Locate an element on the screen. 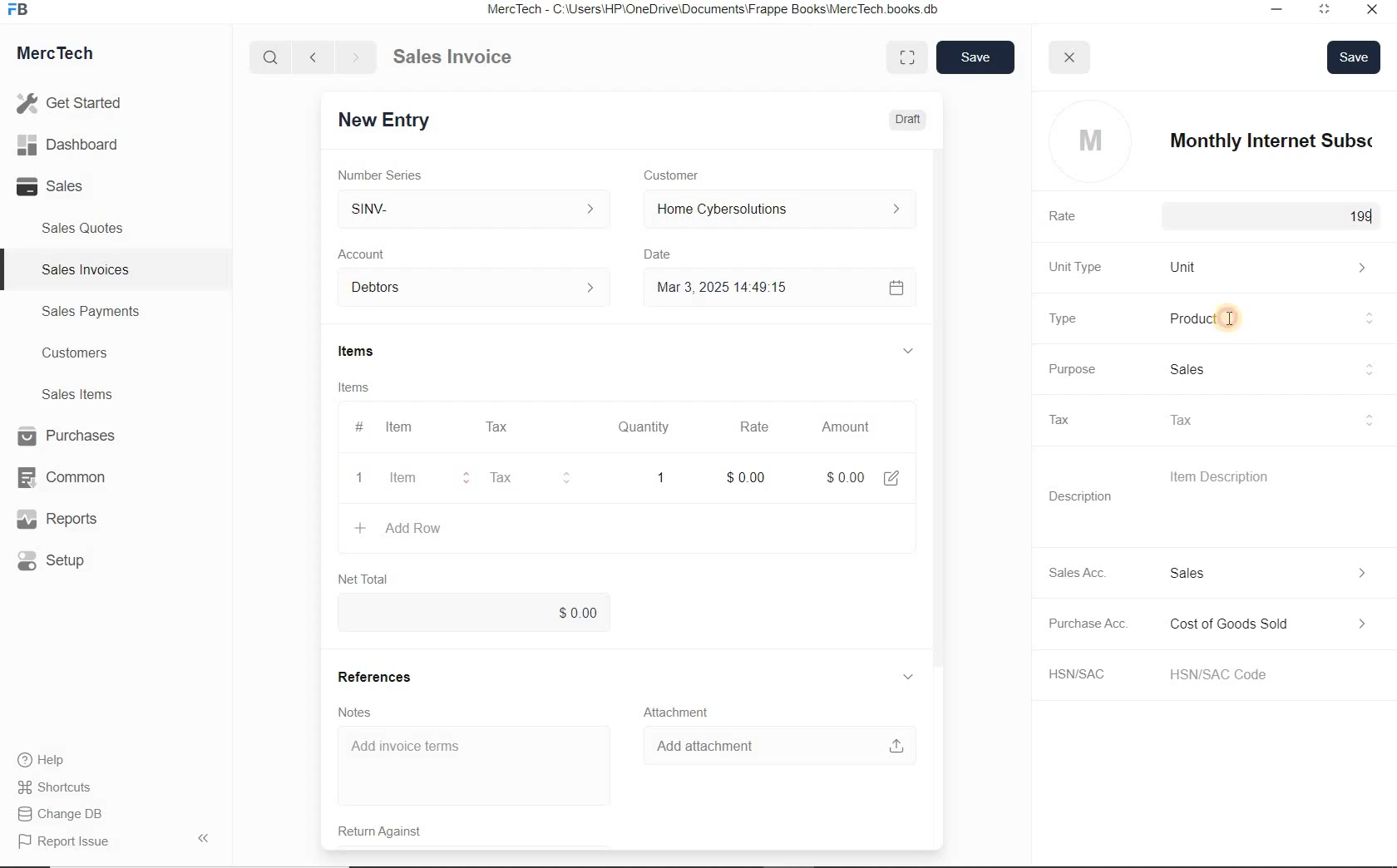  Draft is located at coordinates (909, 118).